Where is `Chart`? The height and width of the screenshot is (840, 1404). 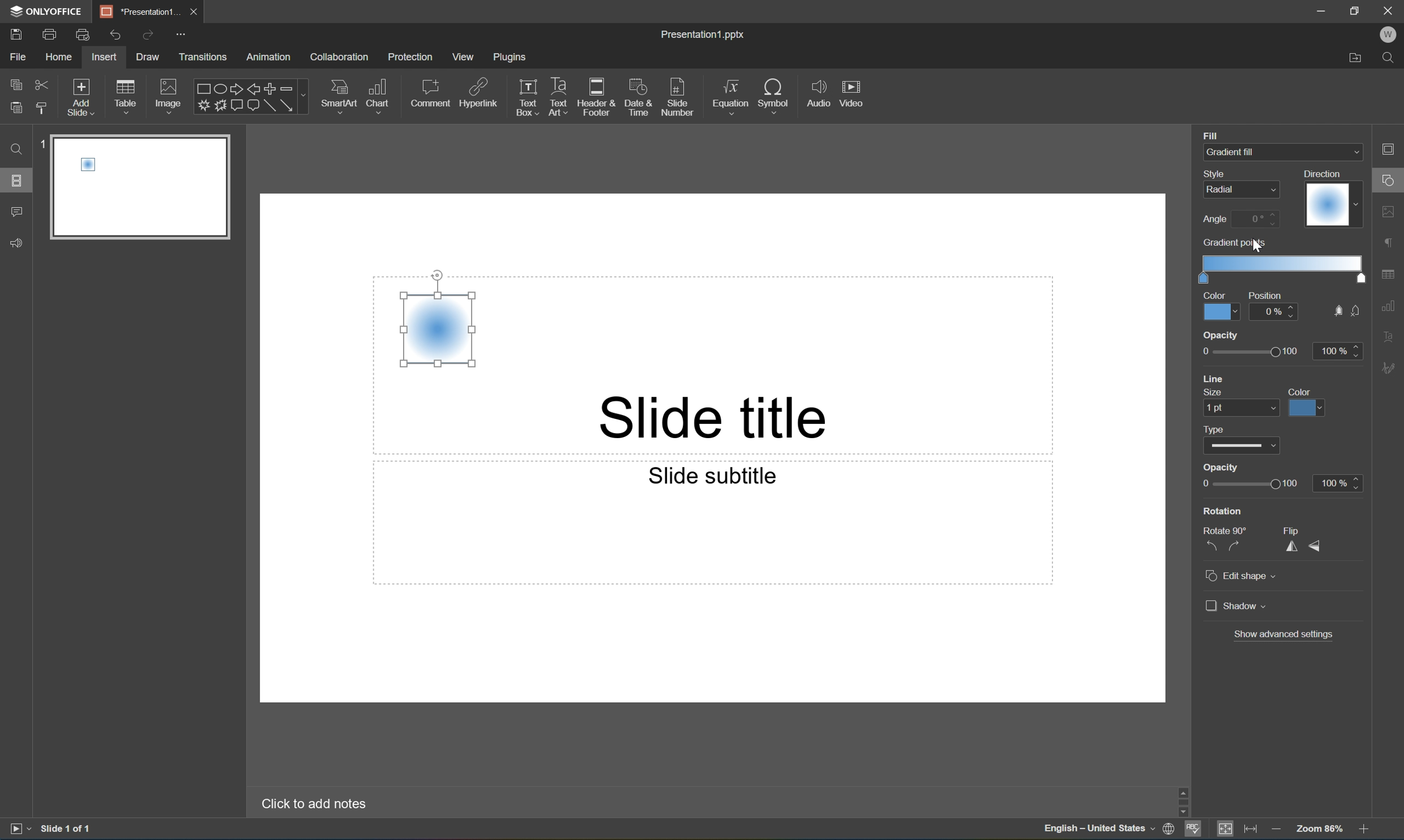 Chart is located at coordinates (376, 95).